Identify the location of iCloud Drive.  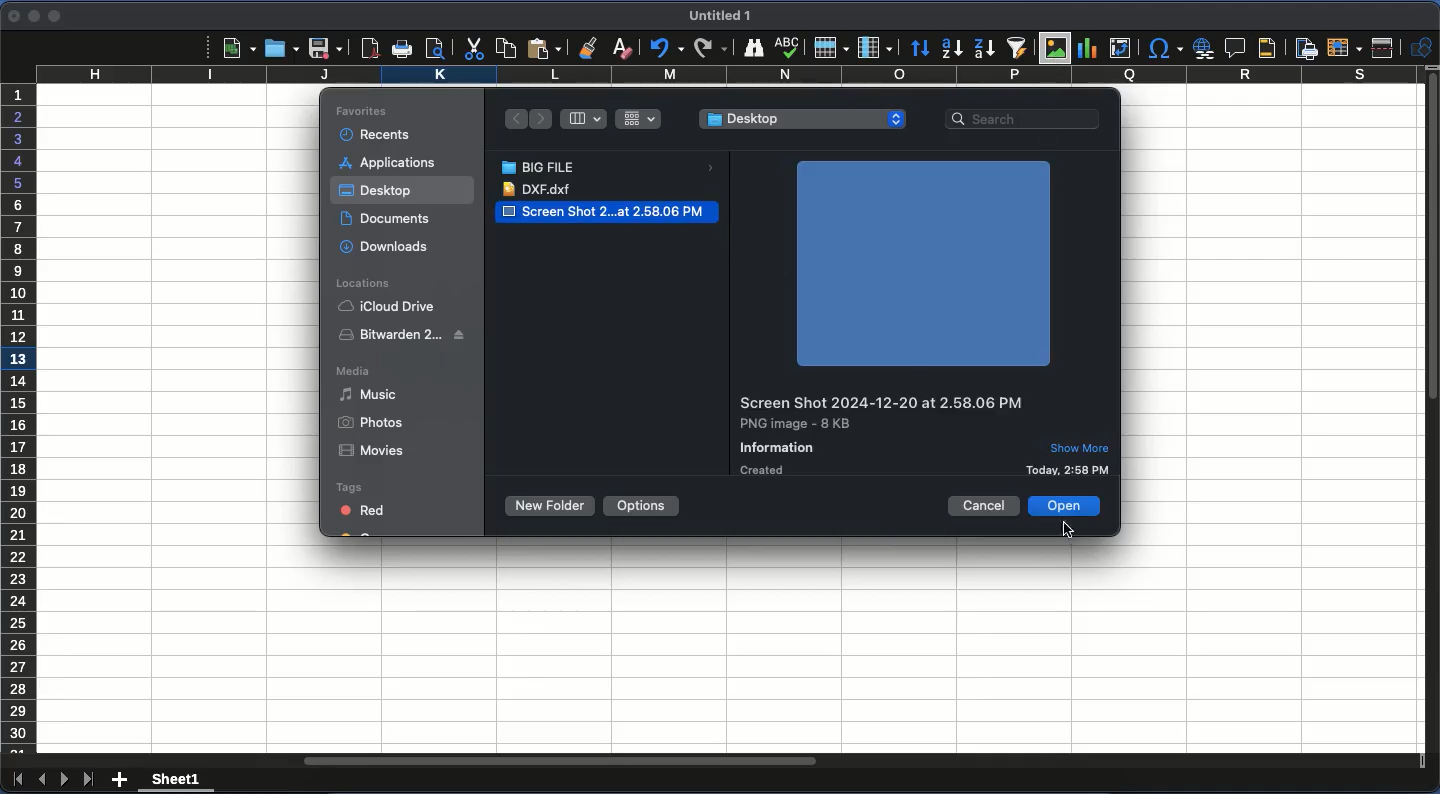
(390, 307).